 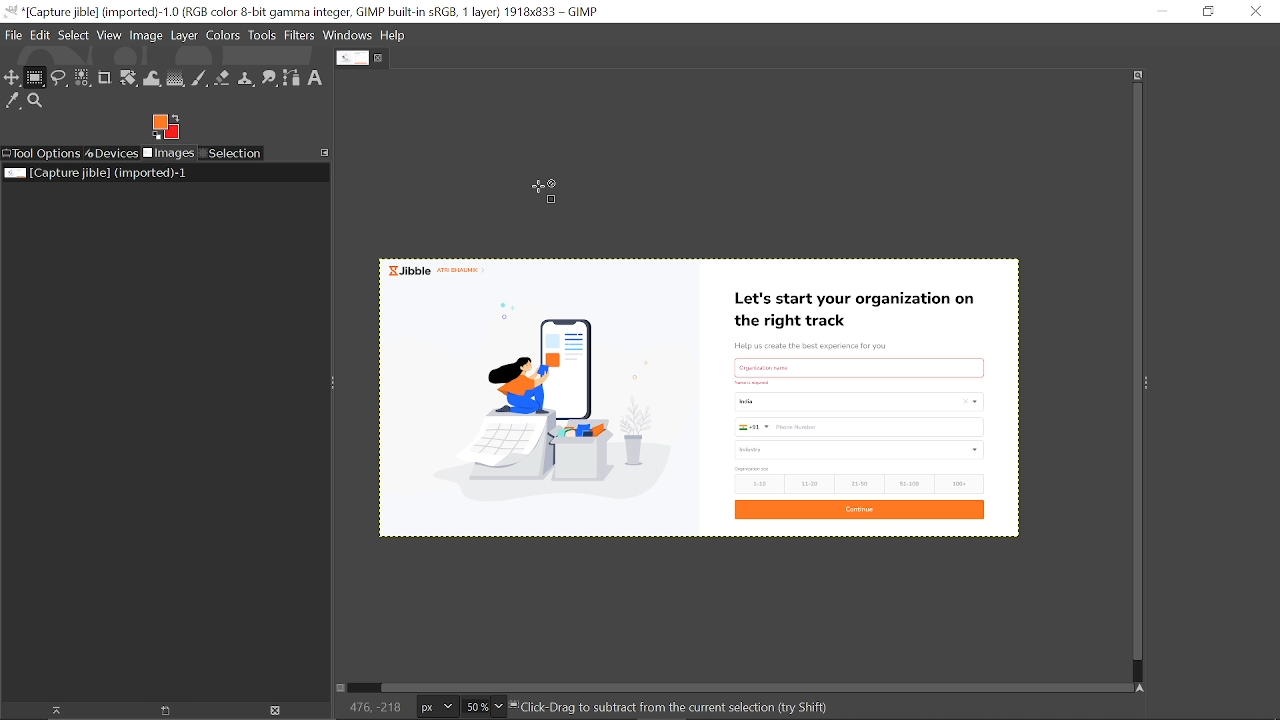 What do you see at coordinates (695, 709) in the screenshot?
I see `Click-Drag to create current selection (try(Shift,Ctrl,Alt)` at bounding box center [695, 709].